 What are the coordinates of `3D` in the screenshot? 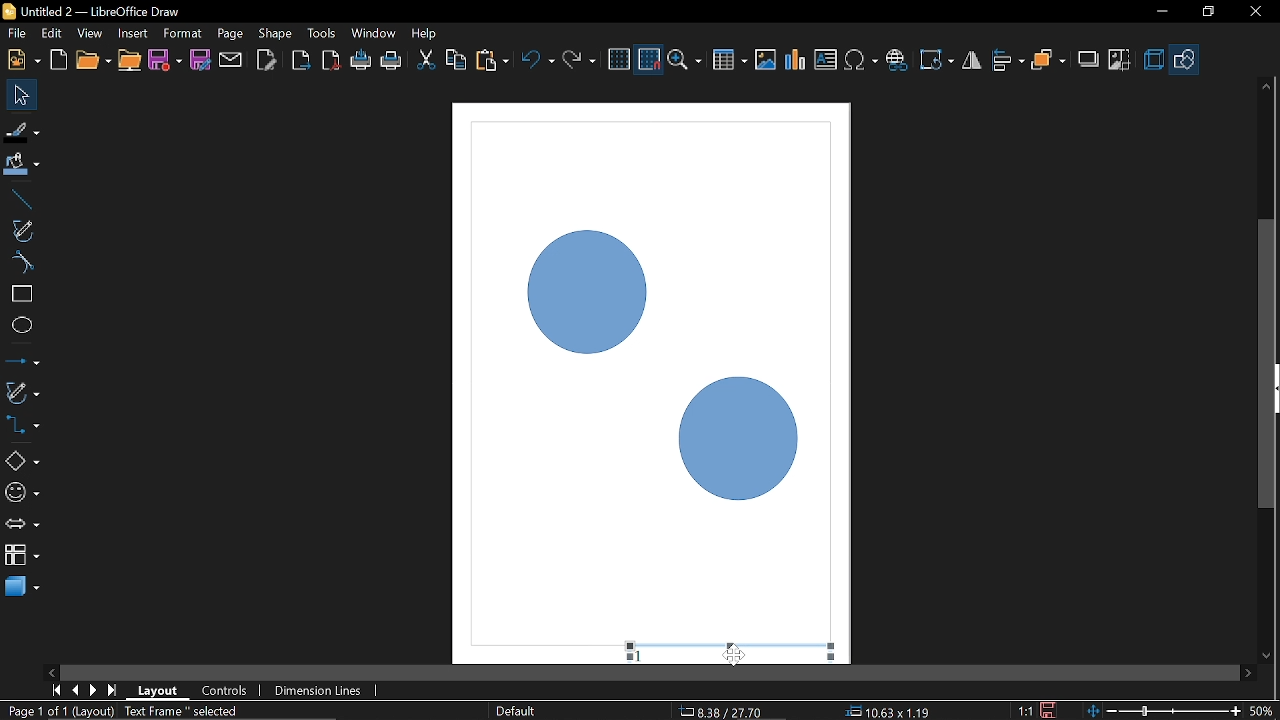 It's located at (1154, 61).